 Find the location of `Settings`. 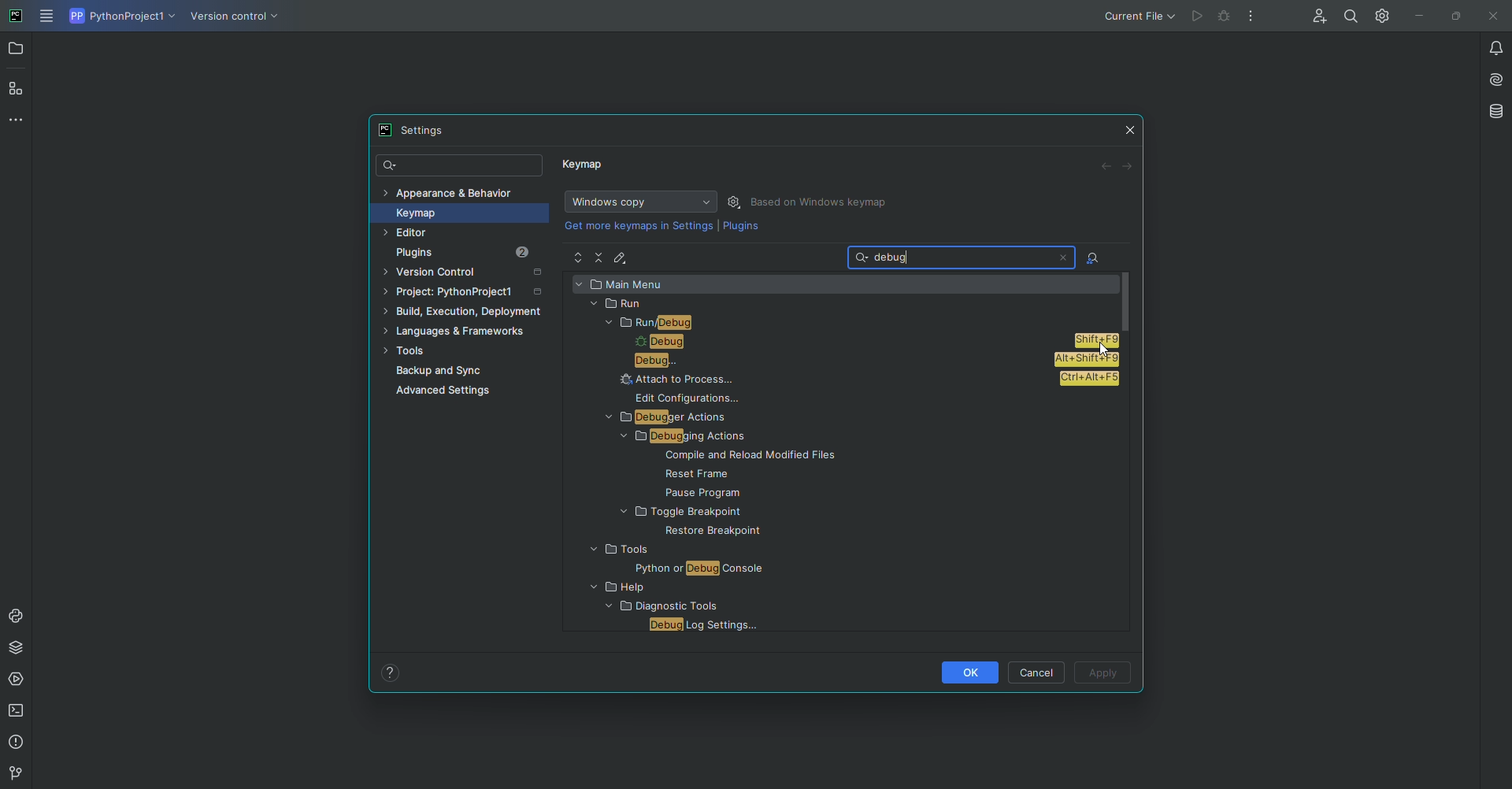

Settings is located at coordinates (418, 130).